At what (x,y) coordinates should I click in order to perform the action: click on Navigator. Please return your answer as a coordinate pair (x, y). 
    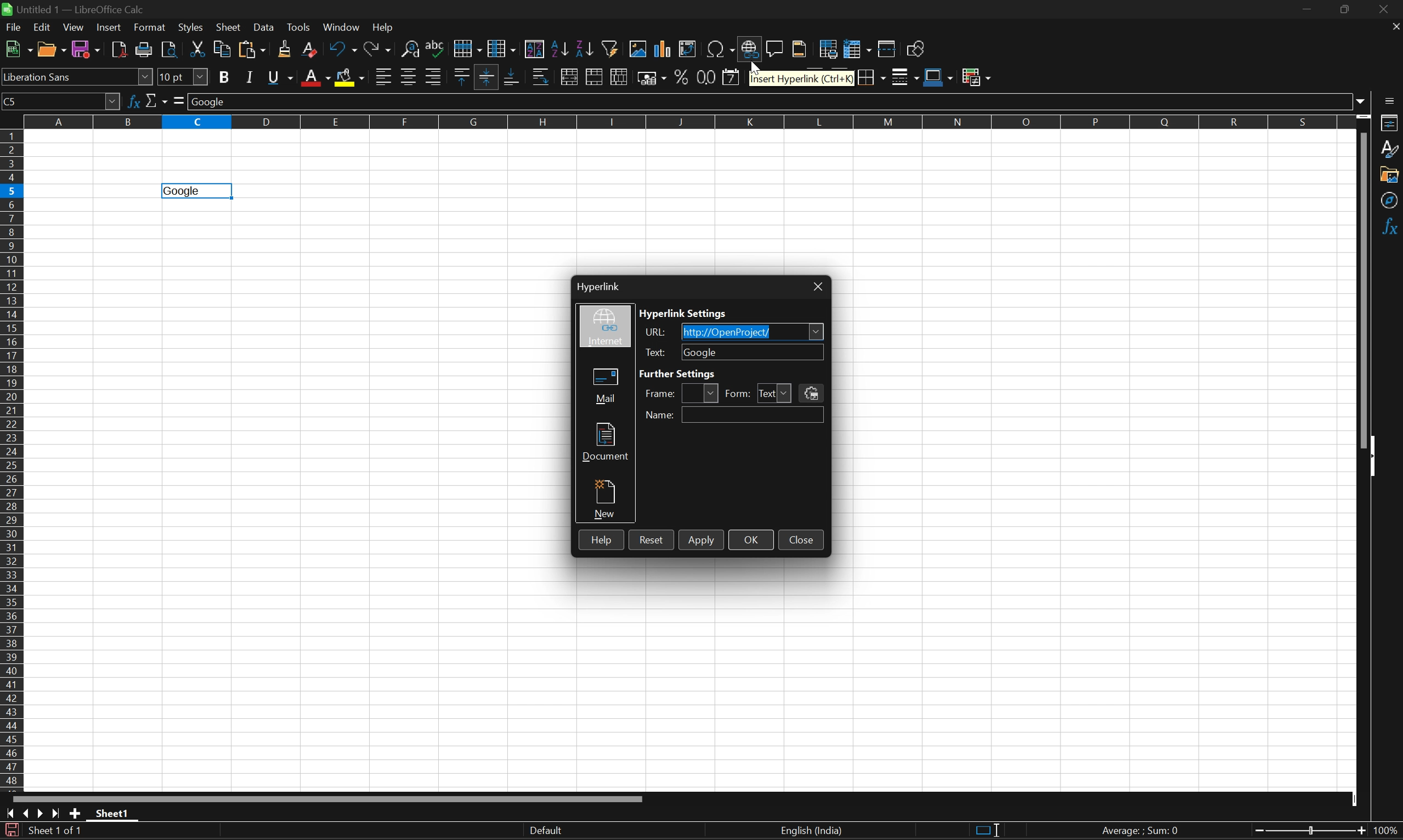
    Looking at the image, I should click on (1391, 201).